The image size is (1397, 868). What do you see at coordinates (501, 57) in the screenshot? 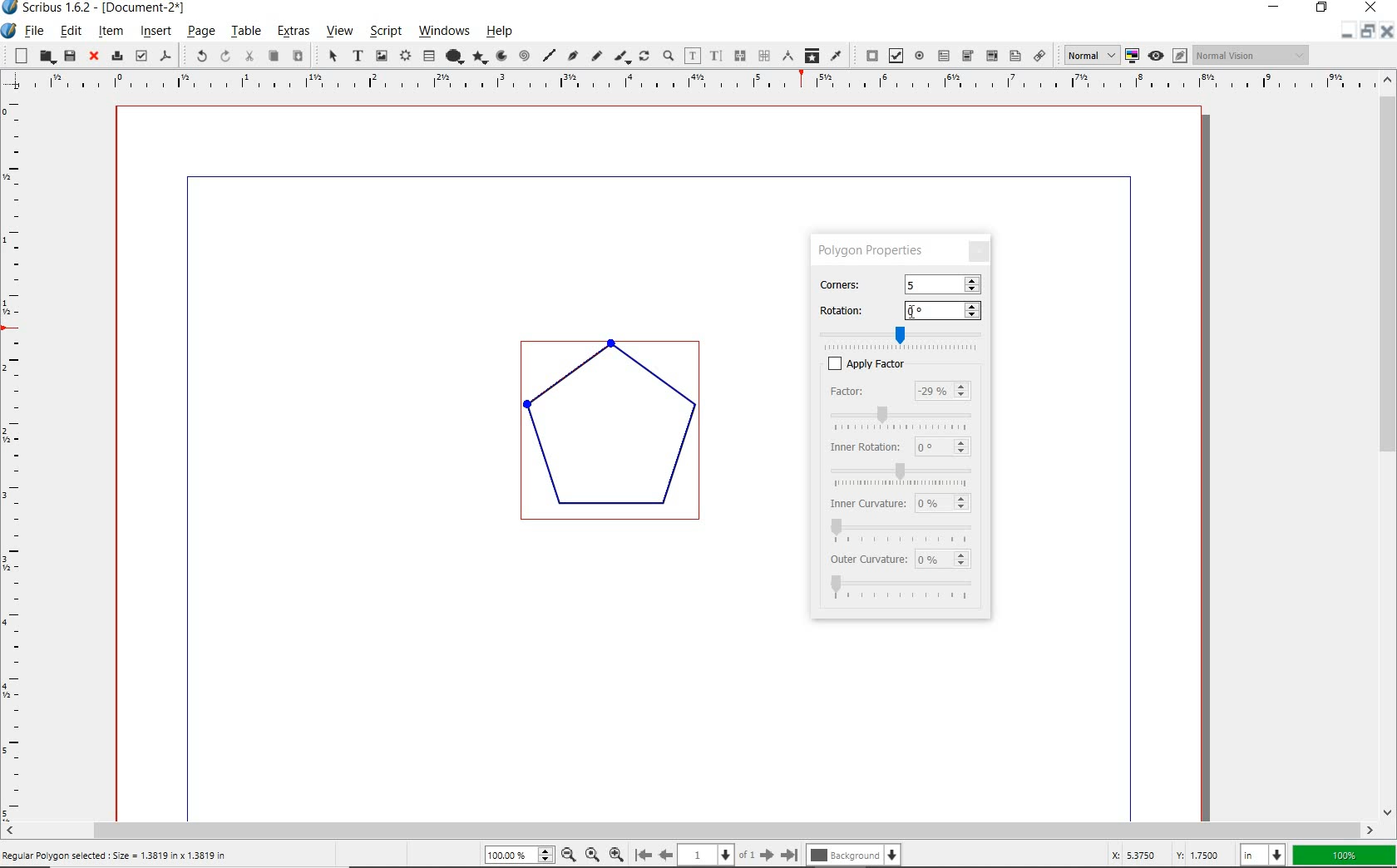
I see `arc` at bounding box center [501, 57].